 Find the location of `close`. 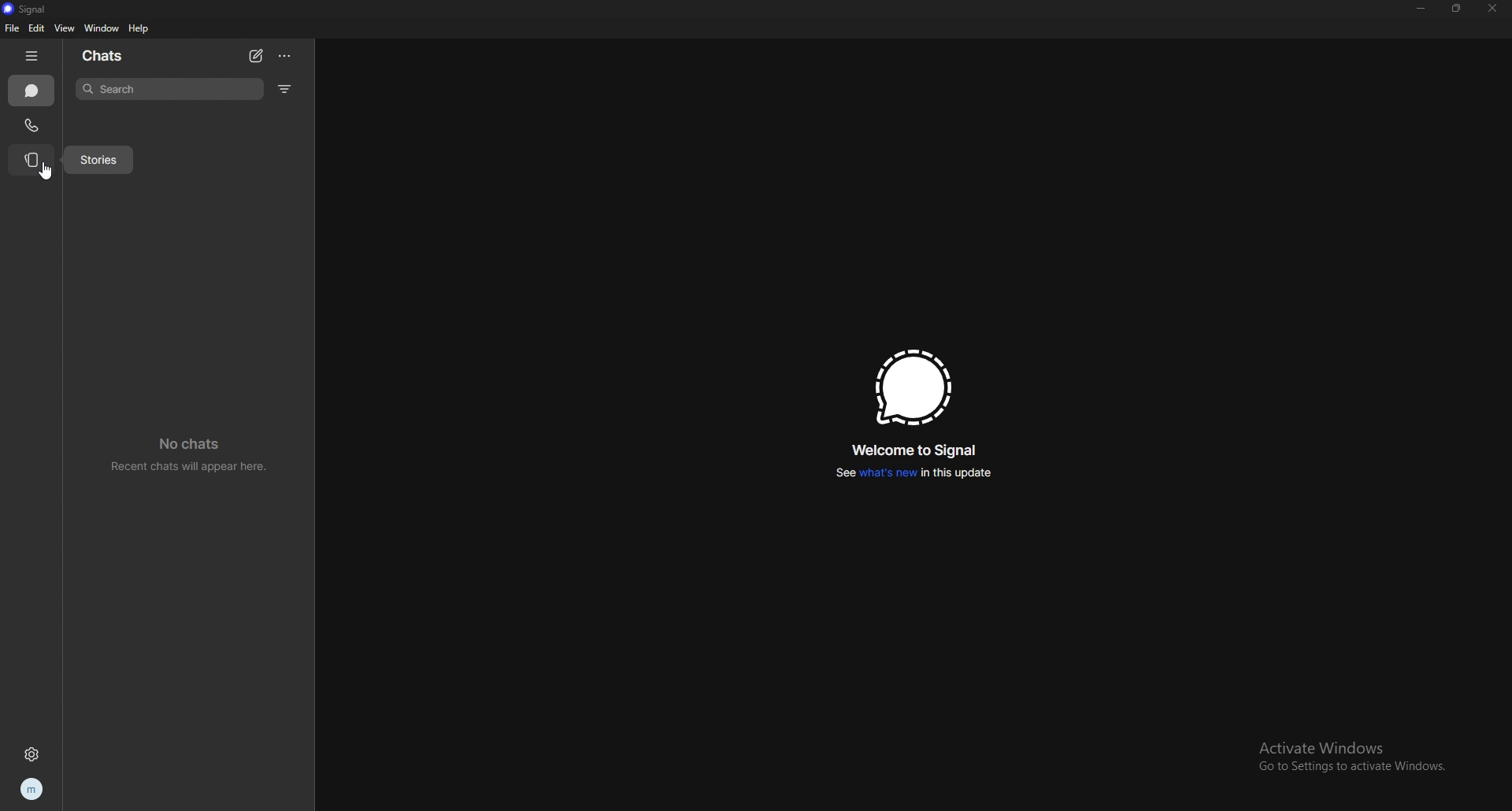

close is located at coordinates (1494, 9).